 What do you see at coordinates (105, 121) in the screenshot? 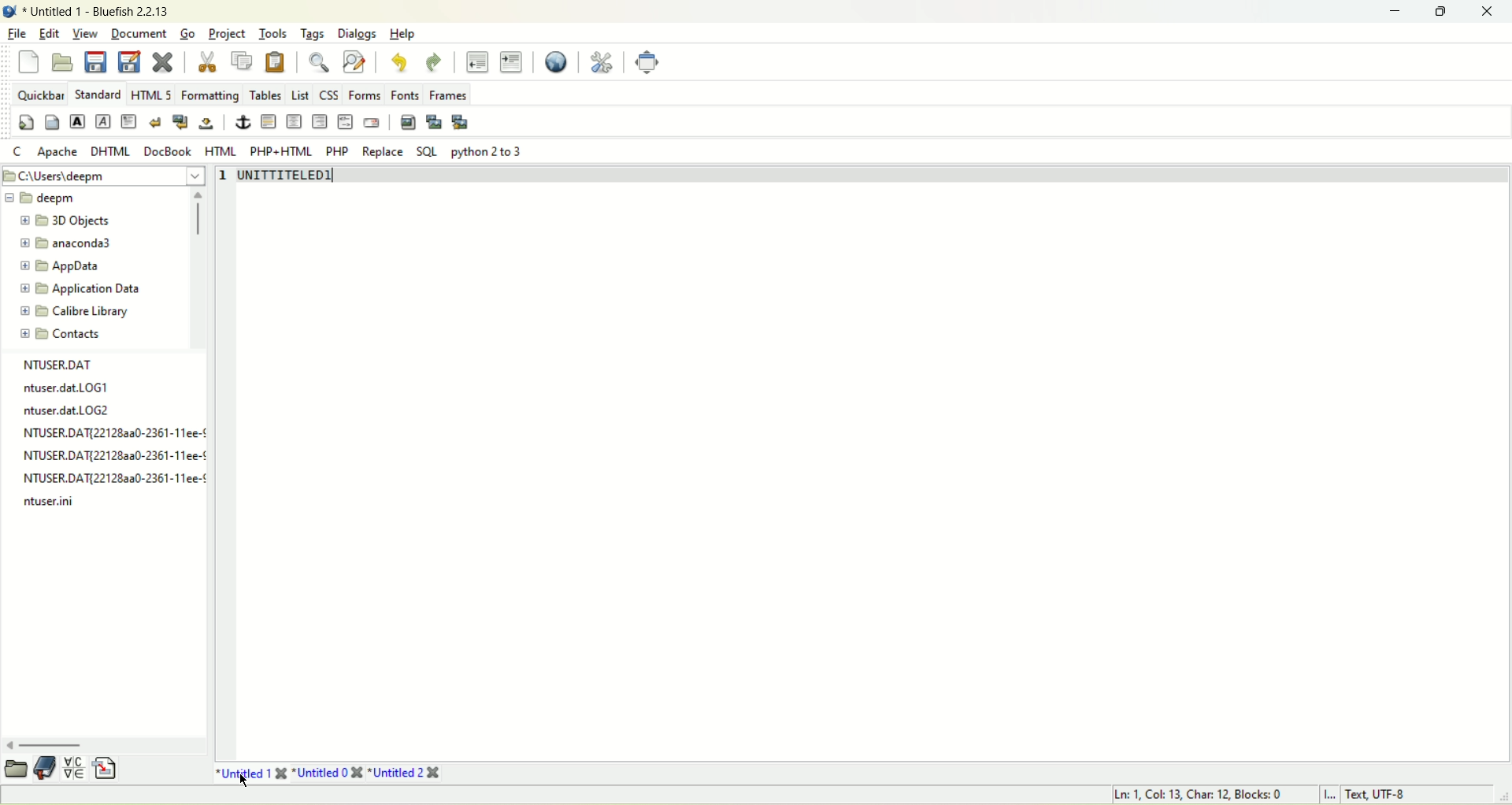
I see `emphasized` at bounding box center [105, 121].